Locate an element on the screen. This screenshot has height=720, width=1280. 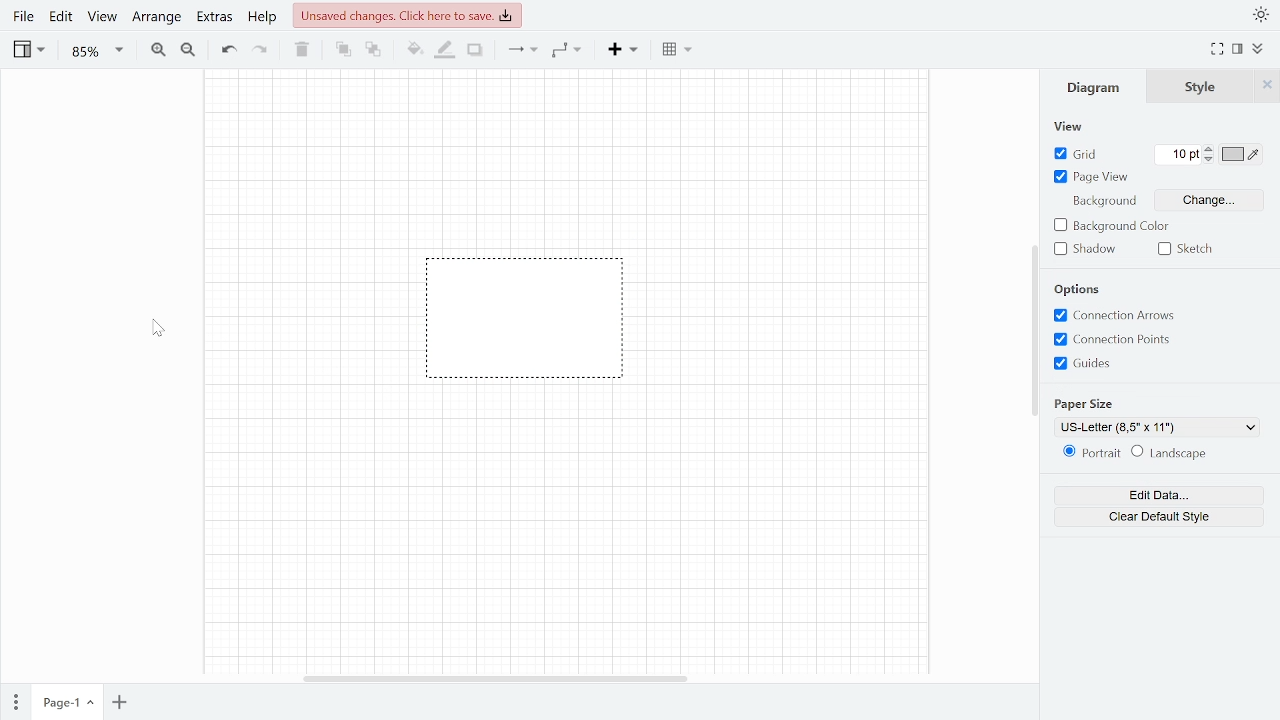
To front is located at coordinates (343, 50).